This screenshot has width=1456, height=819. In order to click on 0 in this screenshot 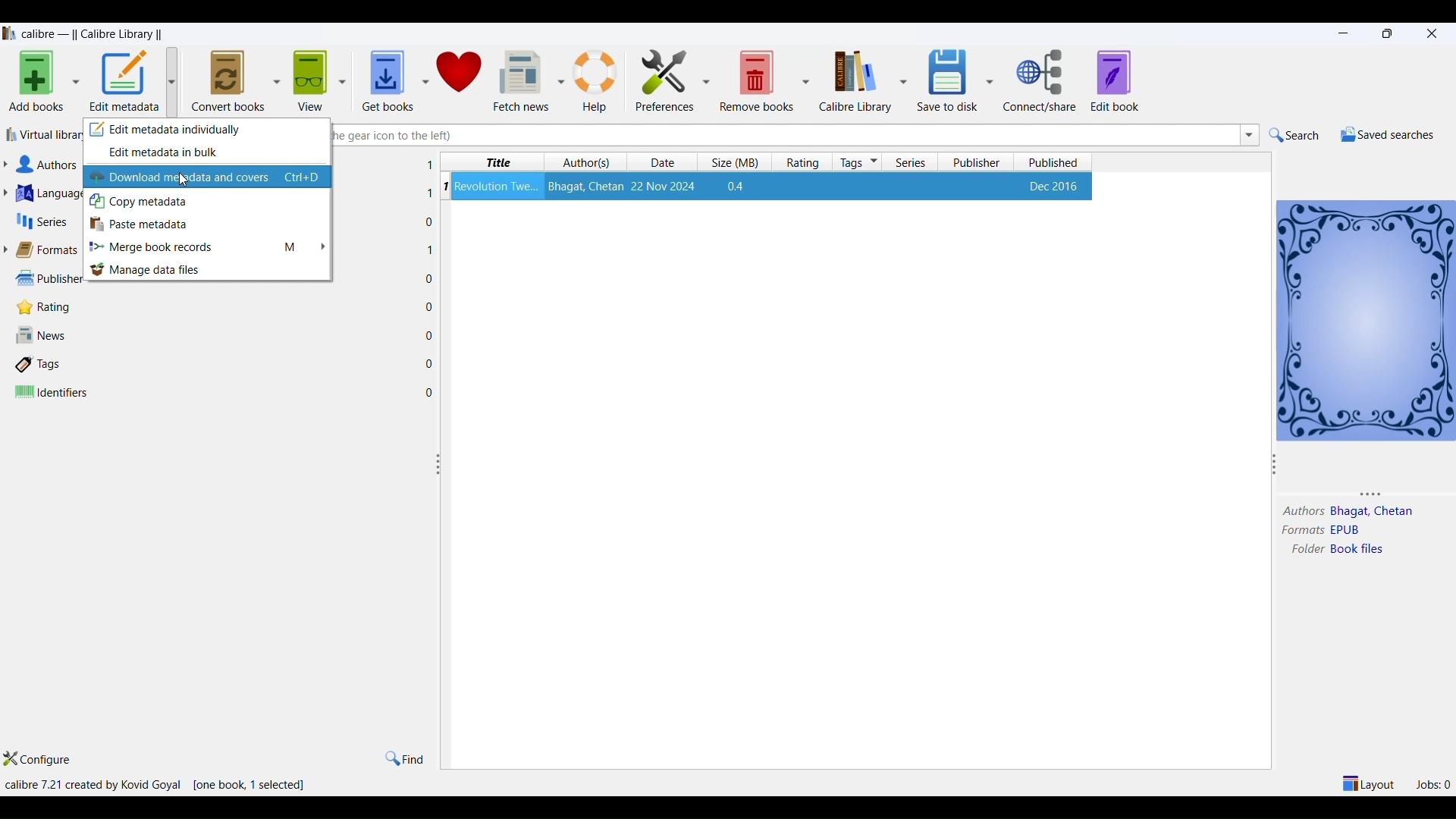, I will do `click(430, 333)`.